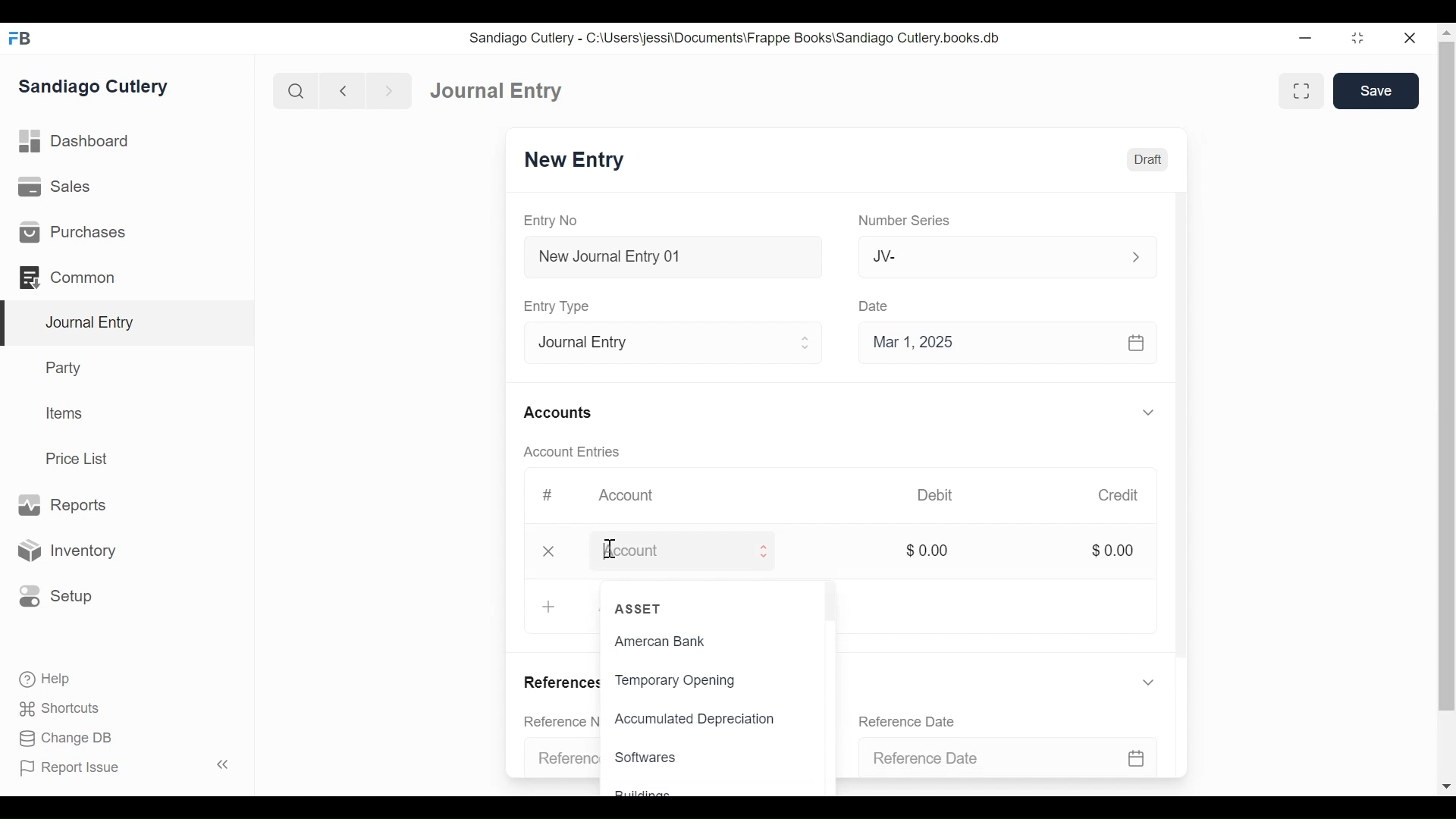  I want to click on scrollbar, so click(1443, 403).